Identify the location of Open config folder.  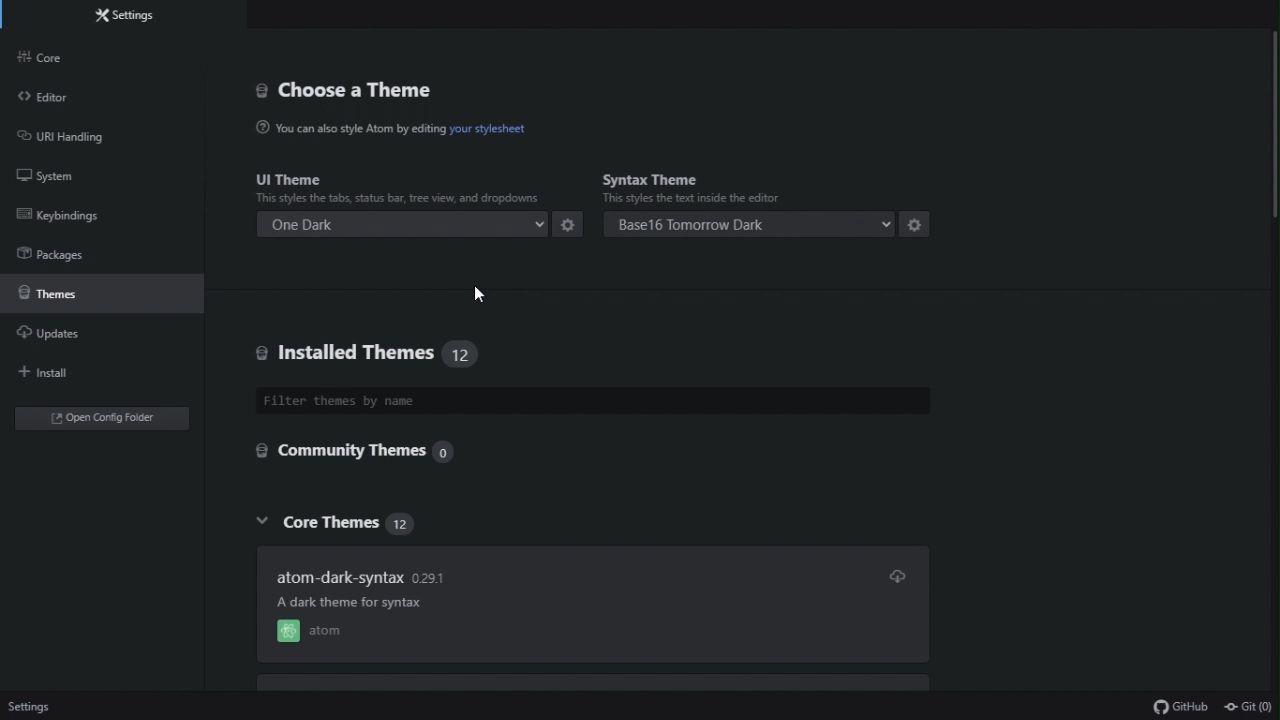
(99, 421).